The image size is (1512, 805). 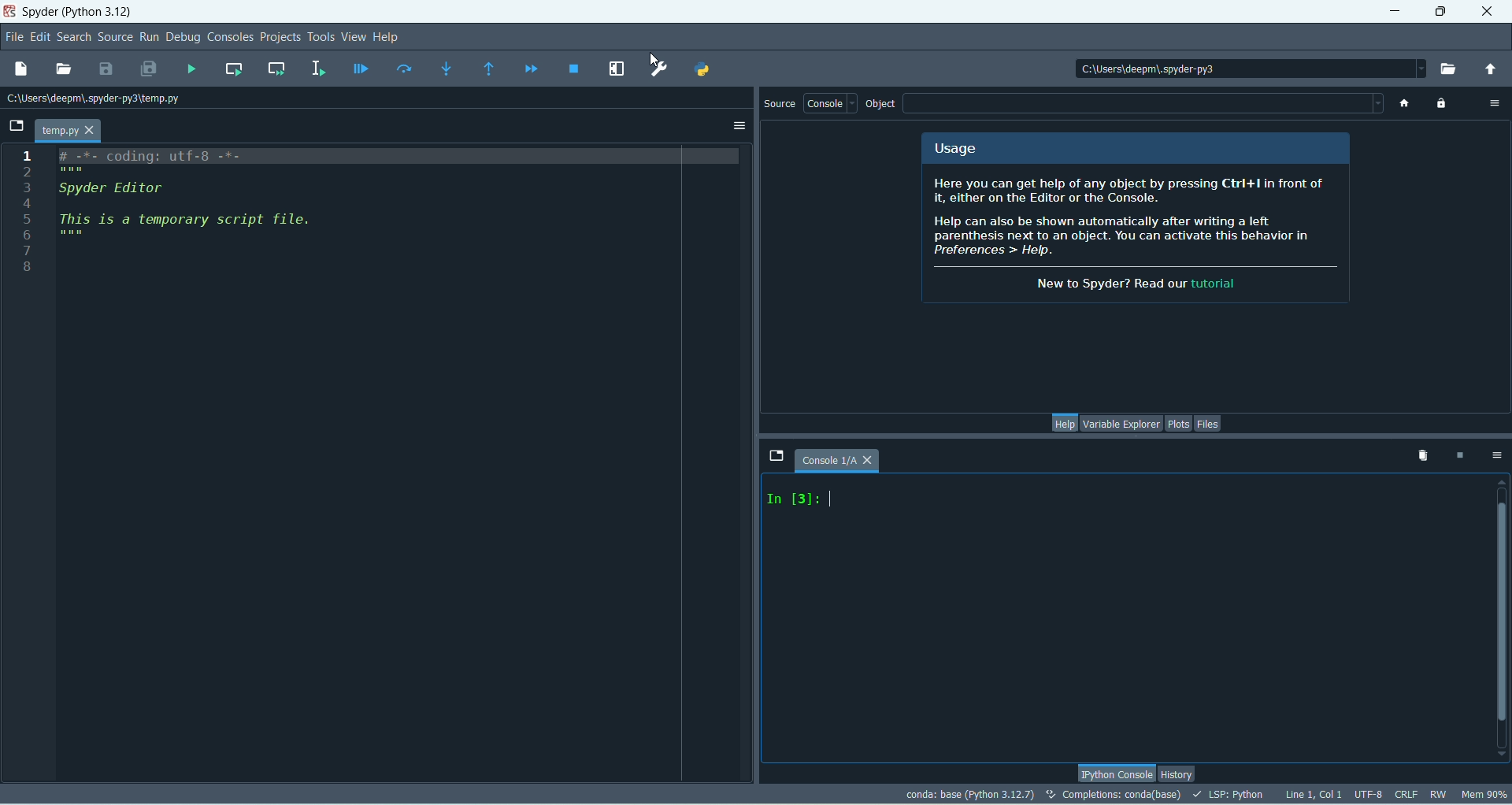 What do you see at coordinates (1406, 794) in the screenshot?
I see `CRLF` at bounding box center [1406, 794].